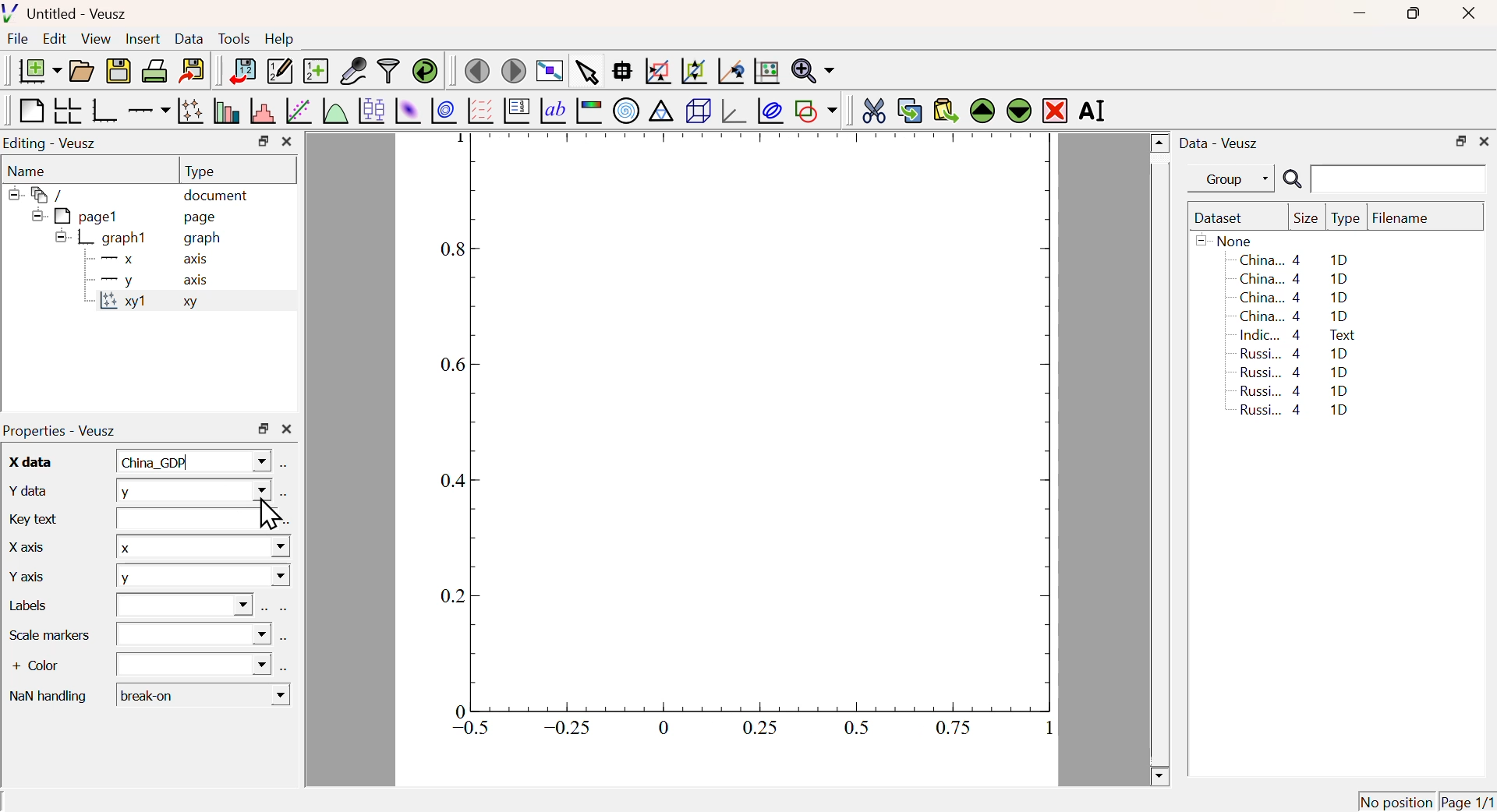  Describe the element at coordinates (50, 634) in the screenshot. I see `Scale Marker` at that location.